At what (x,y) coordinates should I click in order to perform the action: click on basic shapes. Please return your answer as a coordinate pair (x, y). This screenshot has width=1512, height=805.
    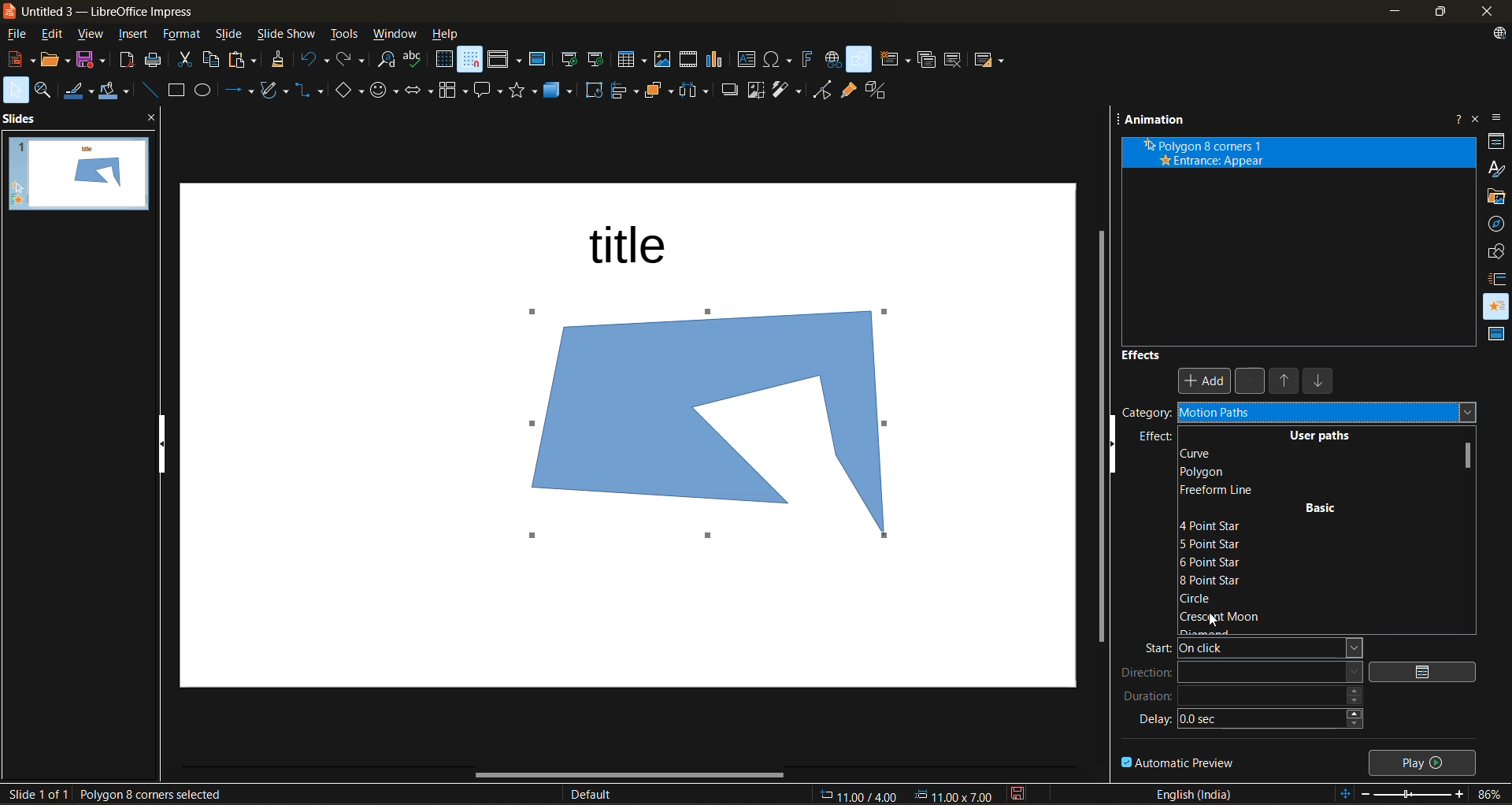
    Looking at the image, I should click on (352, 95).